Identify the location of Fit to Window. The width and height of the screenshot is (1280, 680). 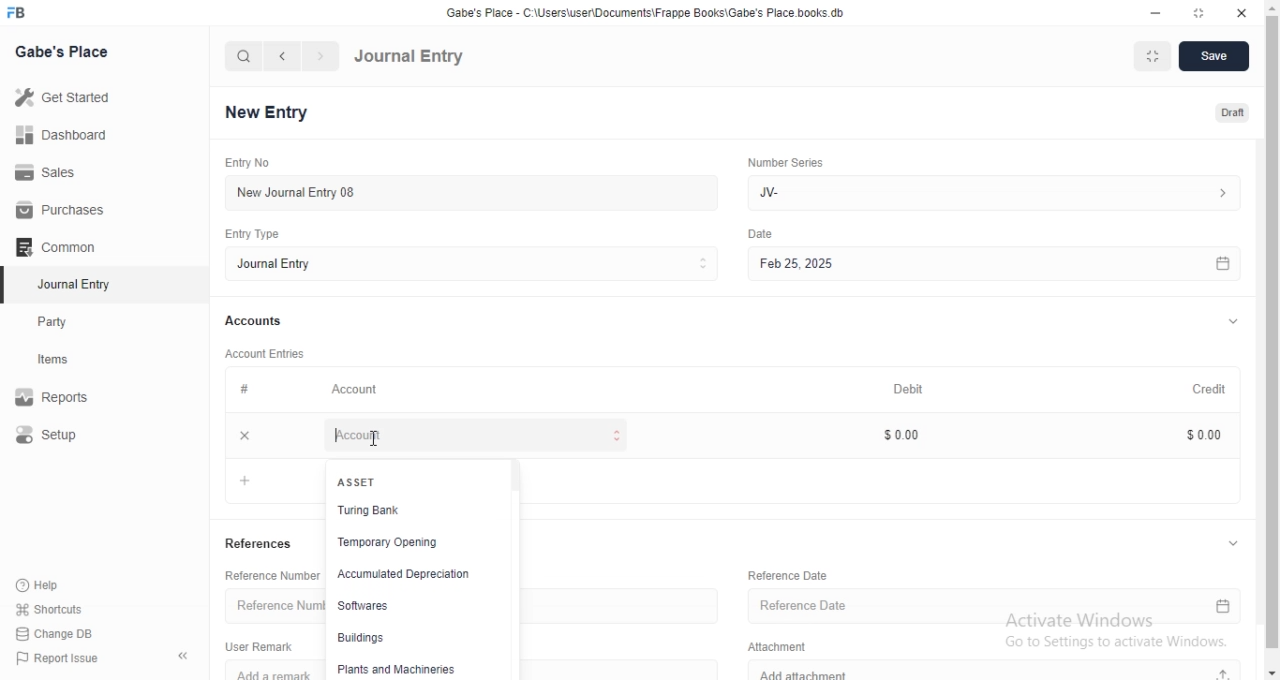
(1157, 56).